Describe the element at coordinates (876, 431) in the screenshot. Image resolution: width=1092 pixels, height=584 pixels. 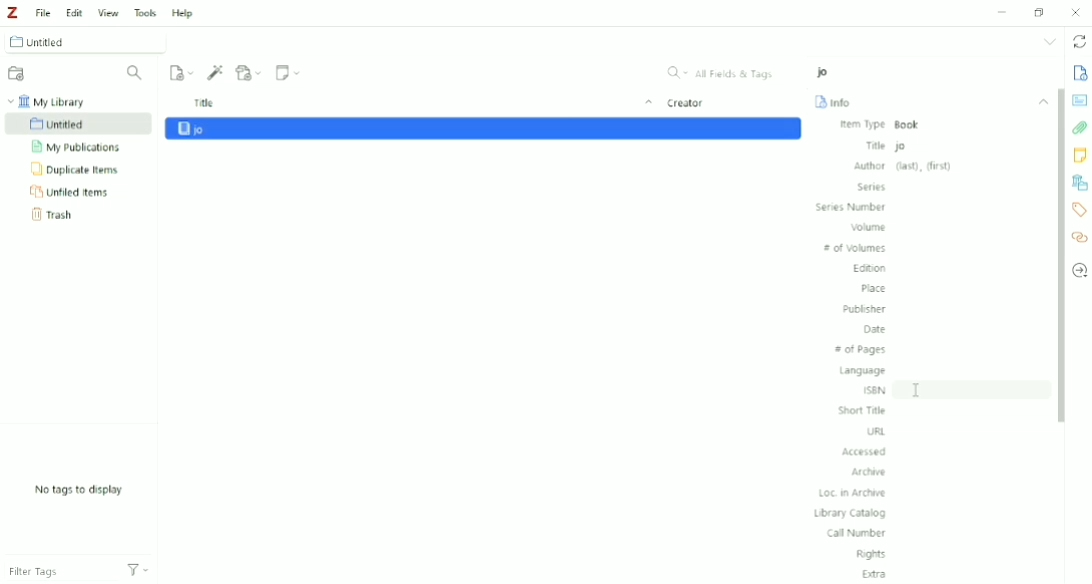
I see `URL` at that location.